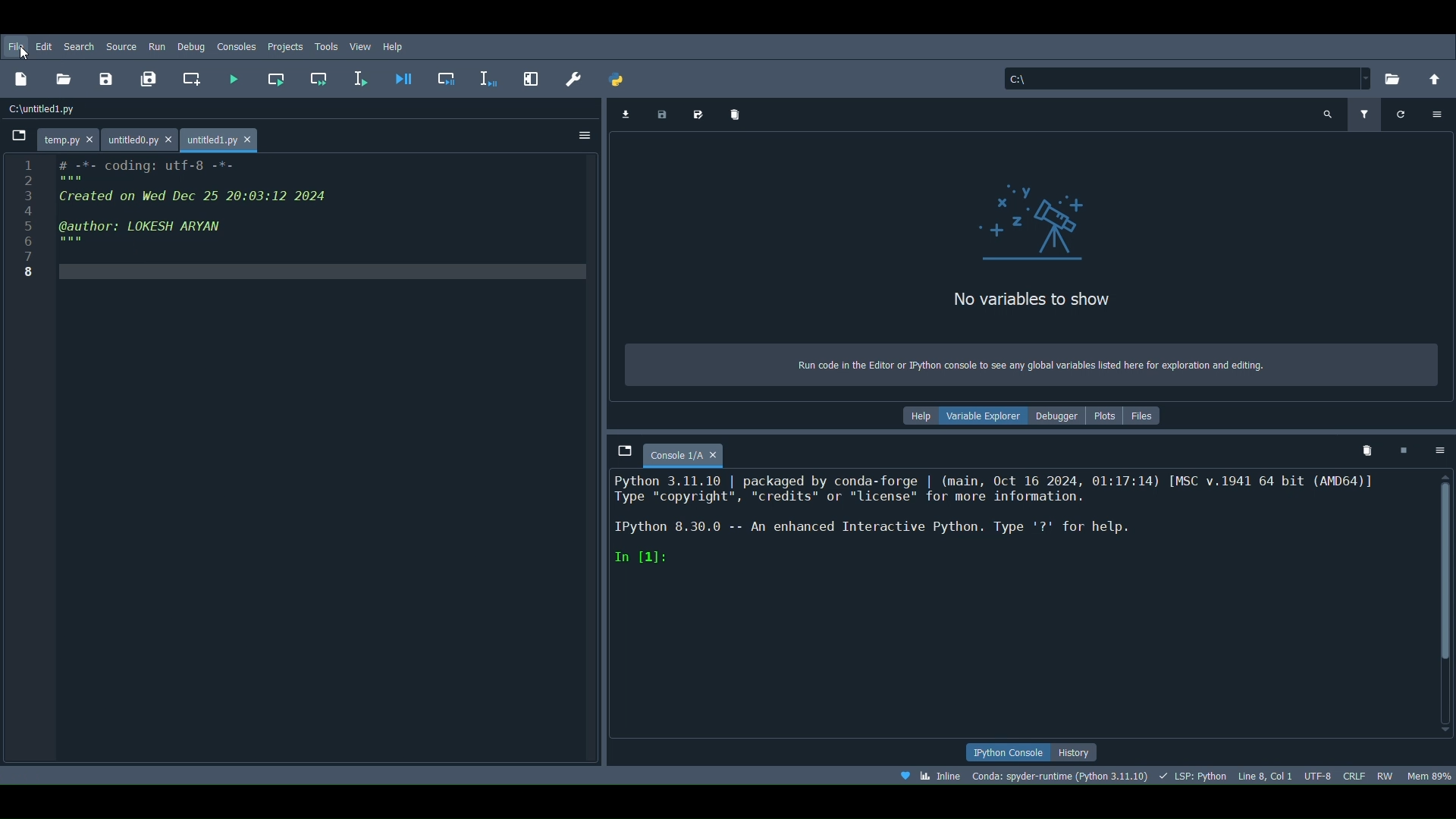 This screenshot has width=1456, height=819. Describe the element at coordinates (987, 413) in the screenshot. I see `Variable explorer` at that location.